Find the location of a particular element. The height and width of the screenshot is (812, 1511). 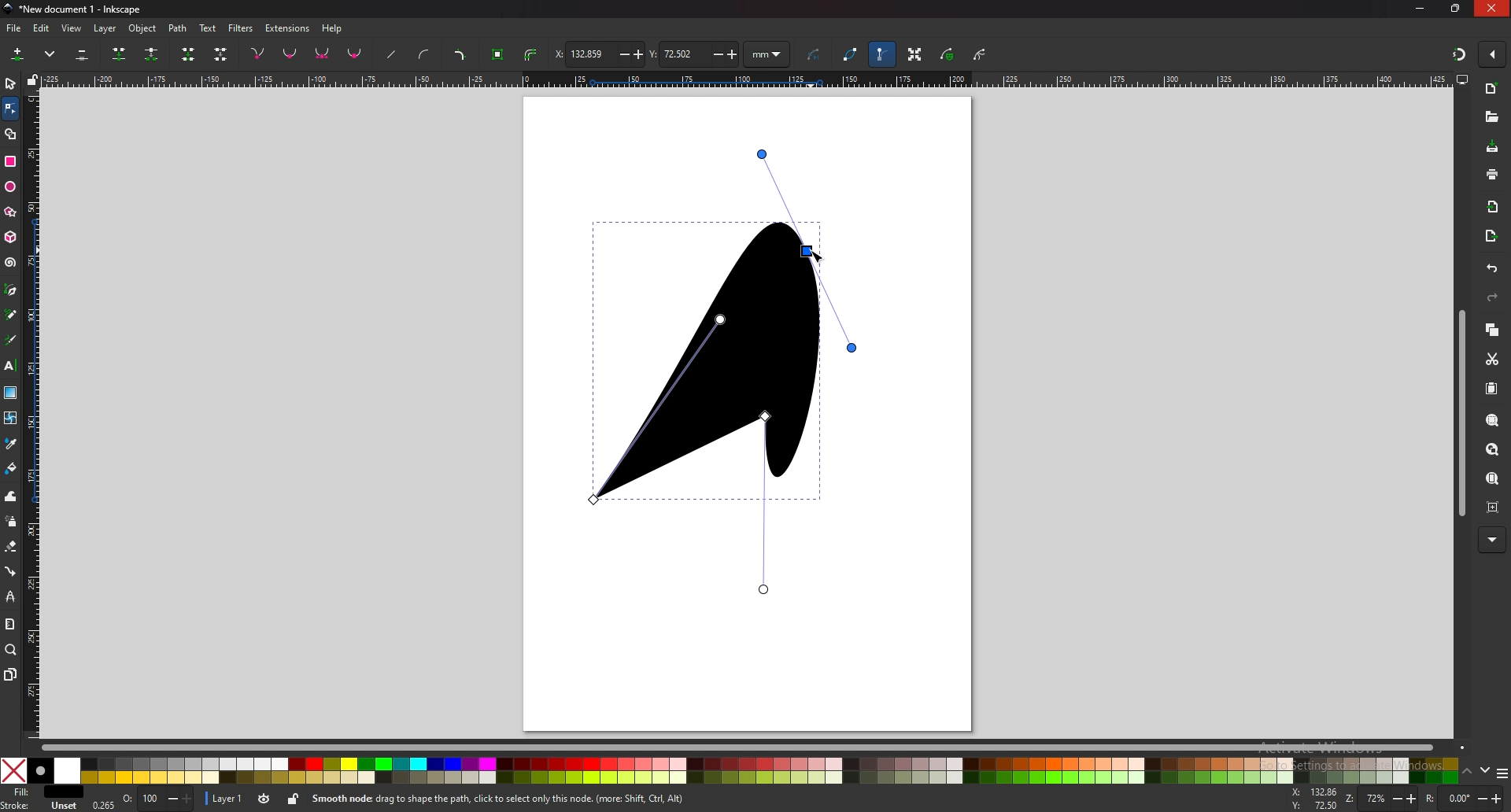

copy is located at coordinates (1492, 330).